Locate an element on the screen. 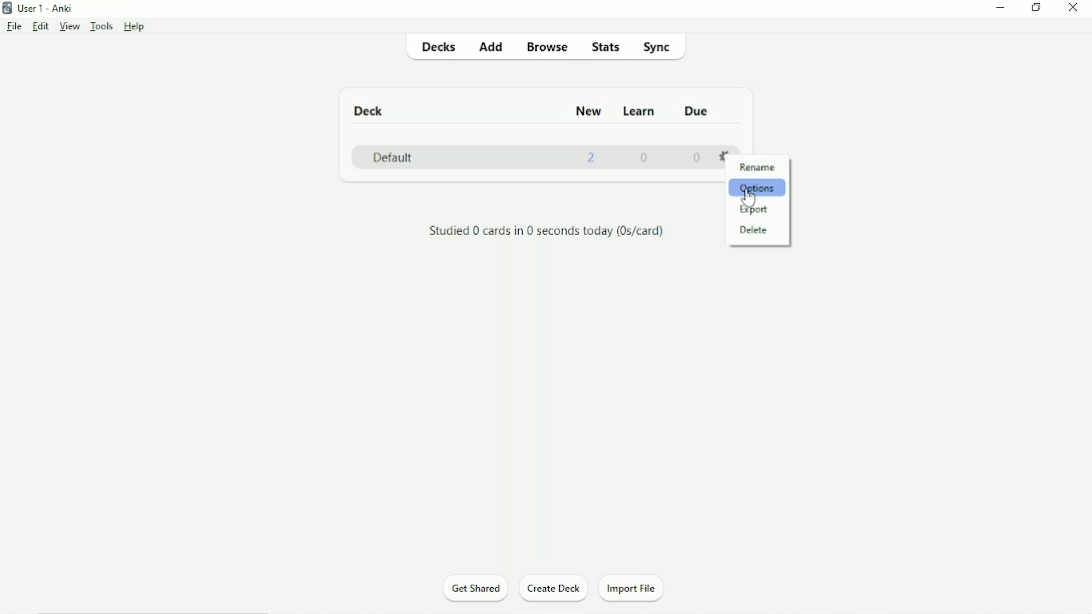 This screenshot has height=614, width=1092. Get Shared is located at coordinates (474, 589).